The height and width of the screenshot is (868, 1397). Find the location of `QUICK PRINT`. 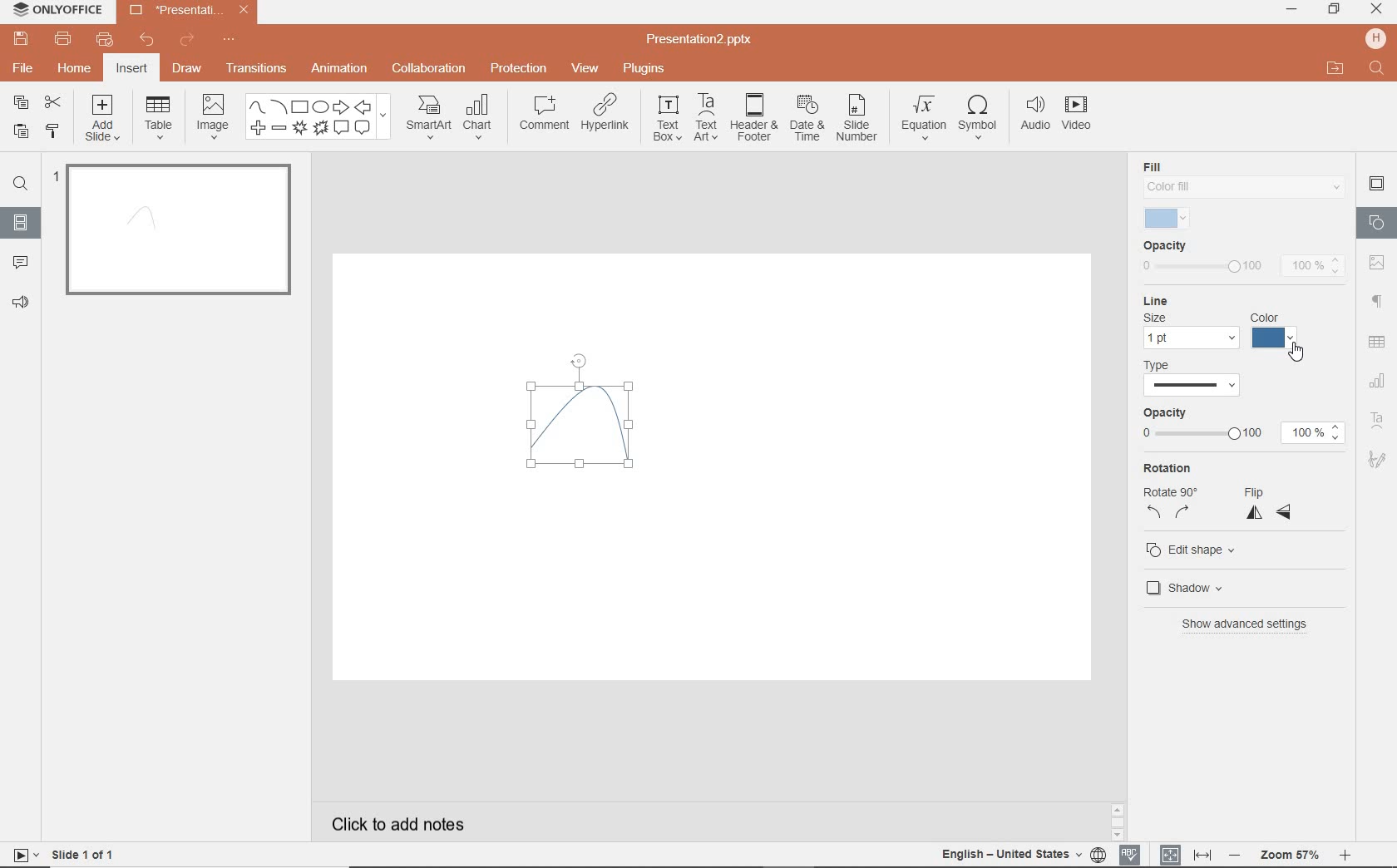

QUICK PRINT is located at coordinates (103, 40).